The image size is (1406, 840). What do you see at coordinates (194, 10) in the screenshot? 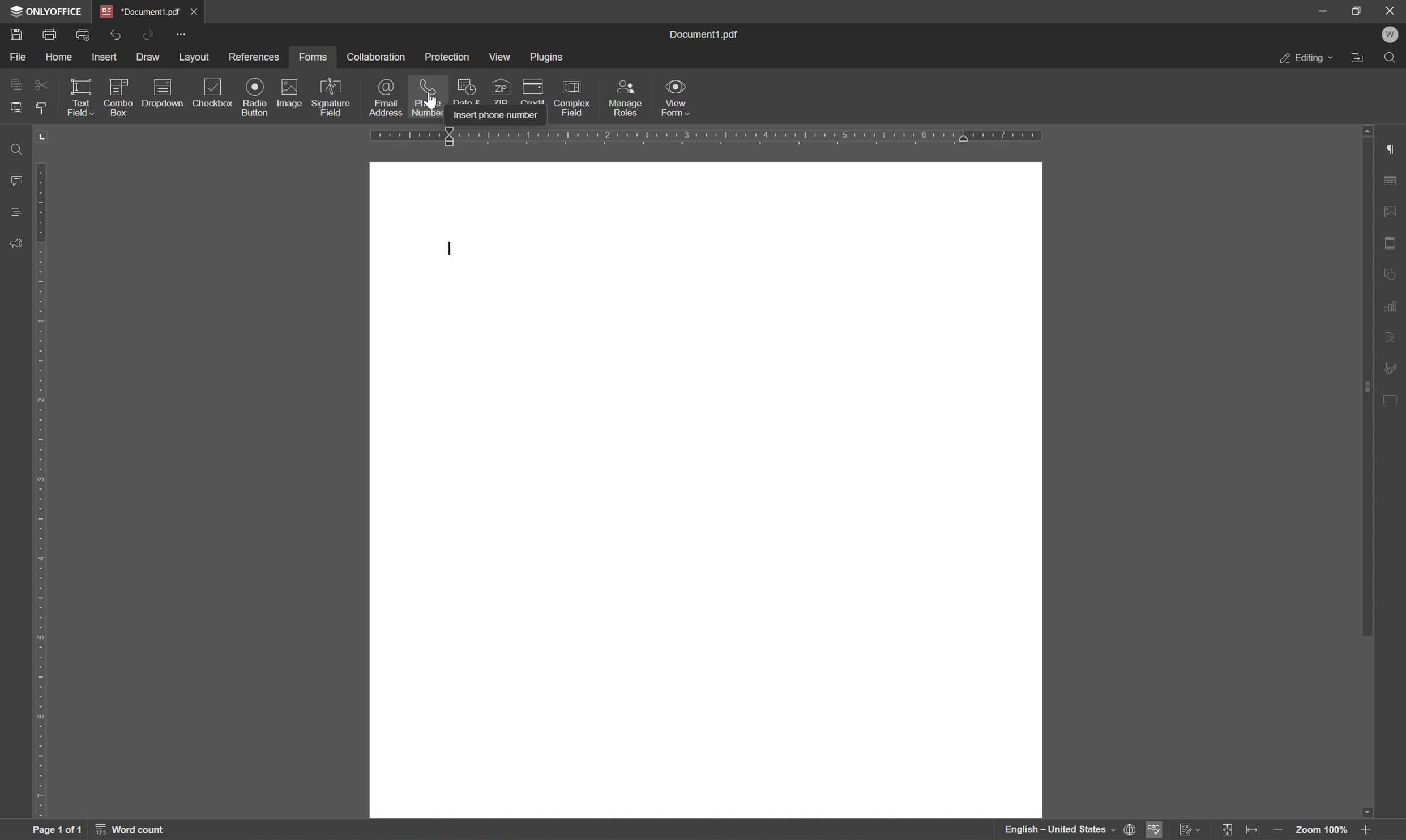
I see `close` at bounding box center [194, 10].